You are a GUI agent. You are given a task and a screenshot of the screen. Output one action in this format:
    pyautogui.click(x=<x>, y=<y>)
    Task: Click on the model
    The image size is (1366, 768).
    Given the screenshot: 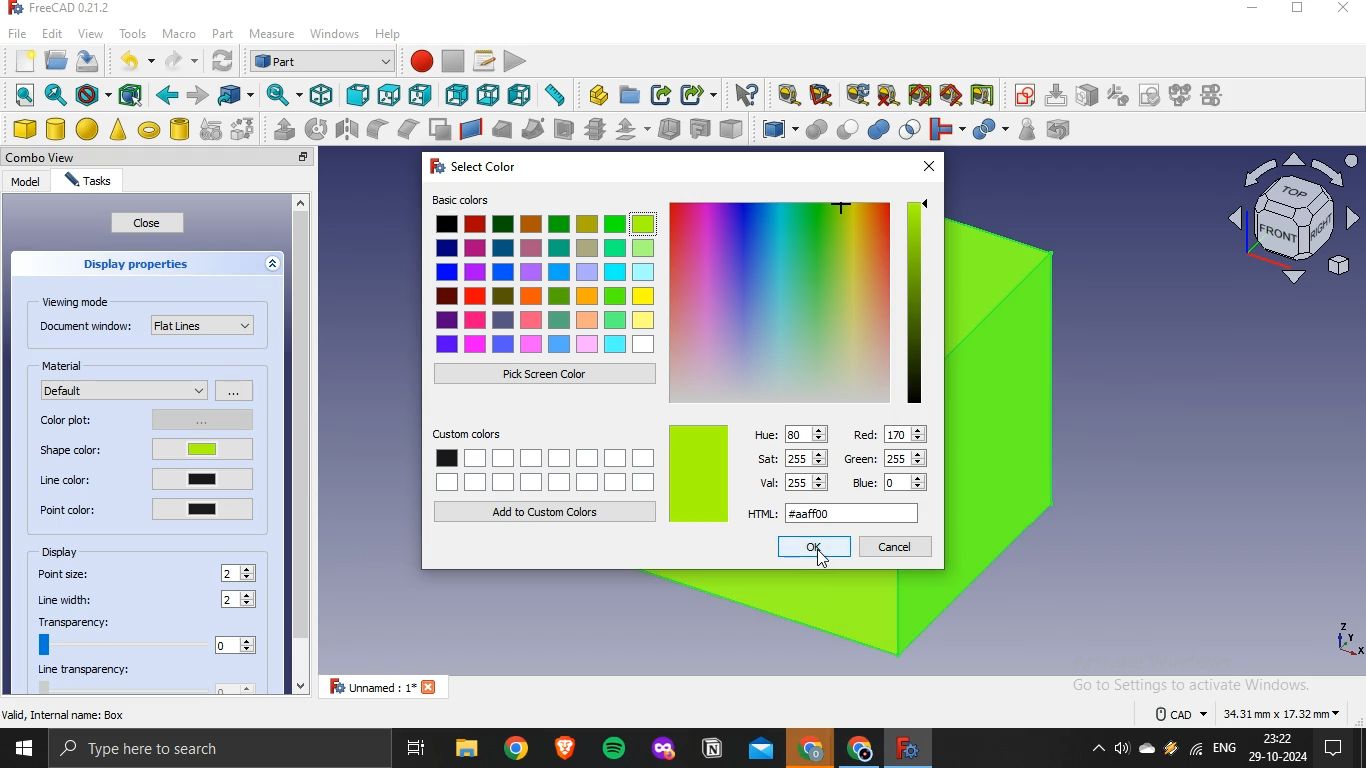 What is the action you would take?
    pyautogui.click(x=25, y=181)
    